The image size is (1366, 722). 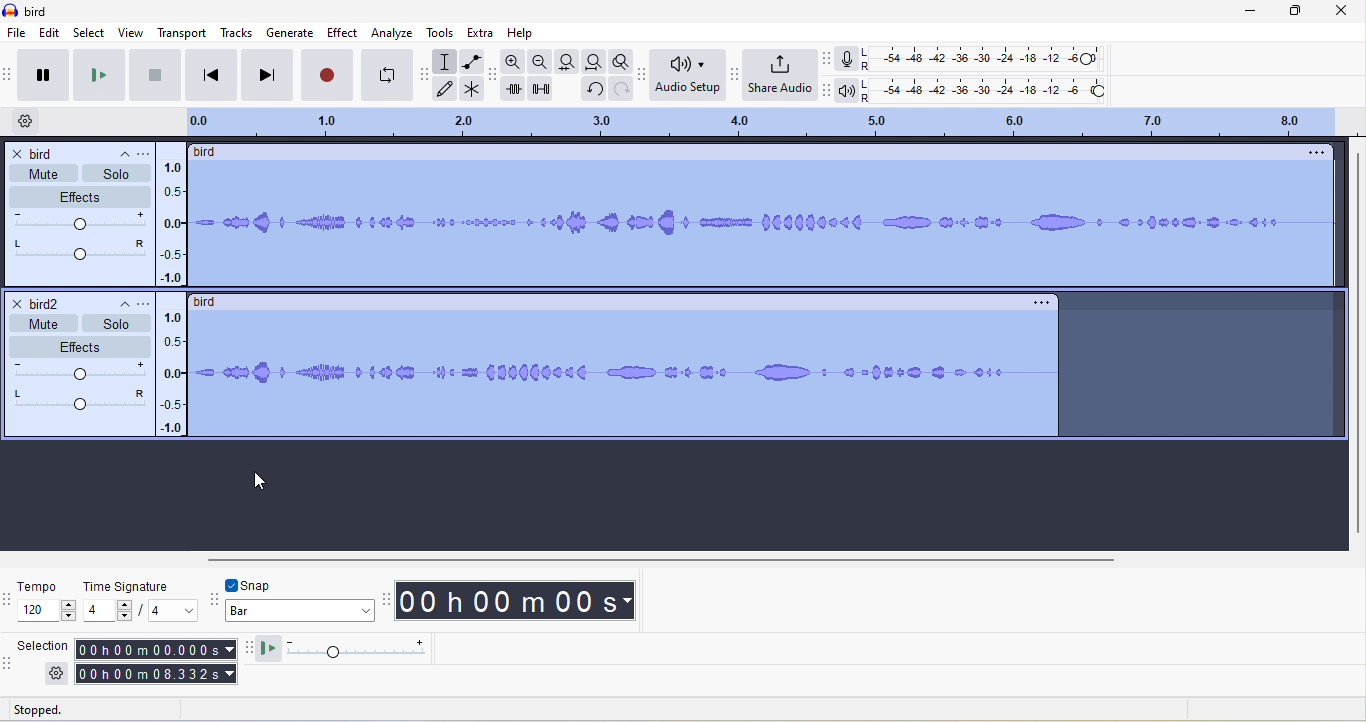 I want to click on record, so click(x=329, y=74).